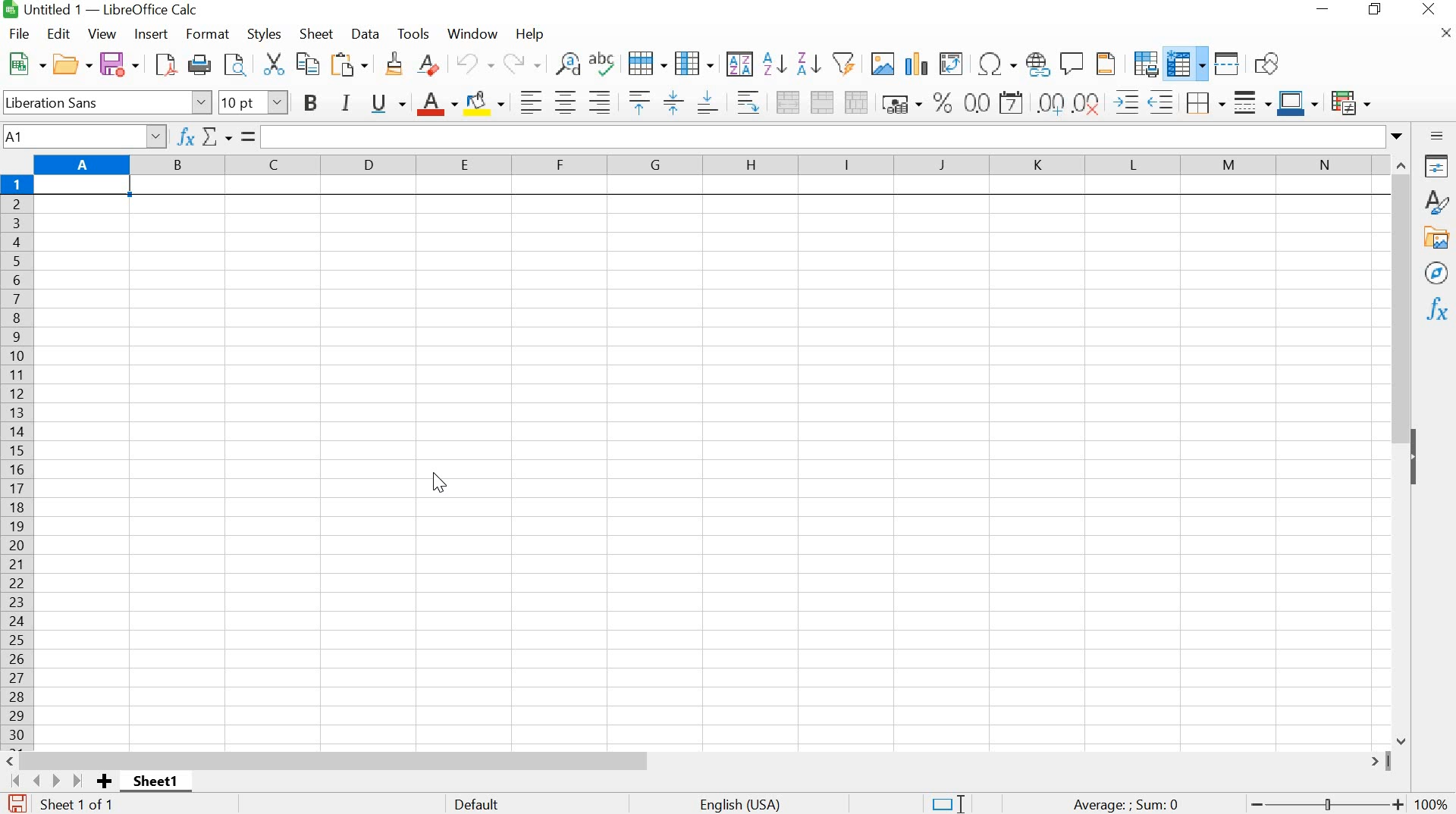  What do you see at coordinates (1203, 104) in the screenshot?
I see `BORDERS` at bounding box center [1203, 104].